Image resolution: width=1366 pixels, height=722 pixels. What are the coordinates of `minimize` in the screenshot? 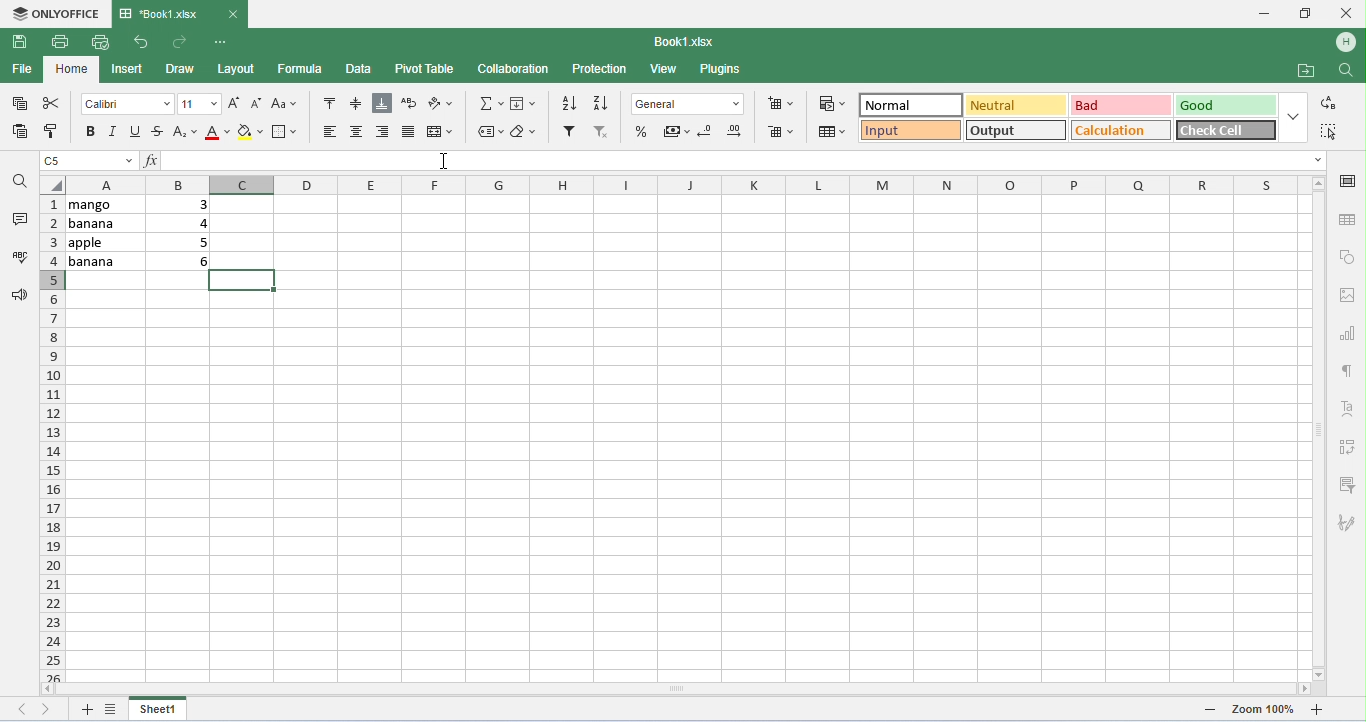 It's located at (1263, 14).